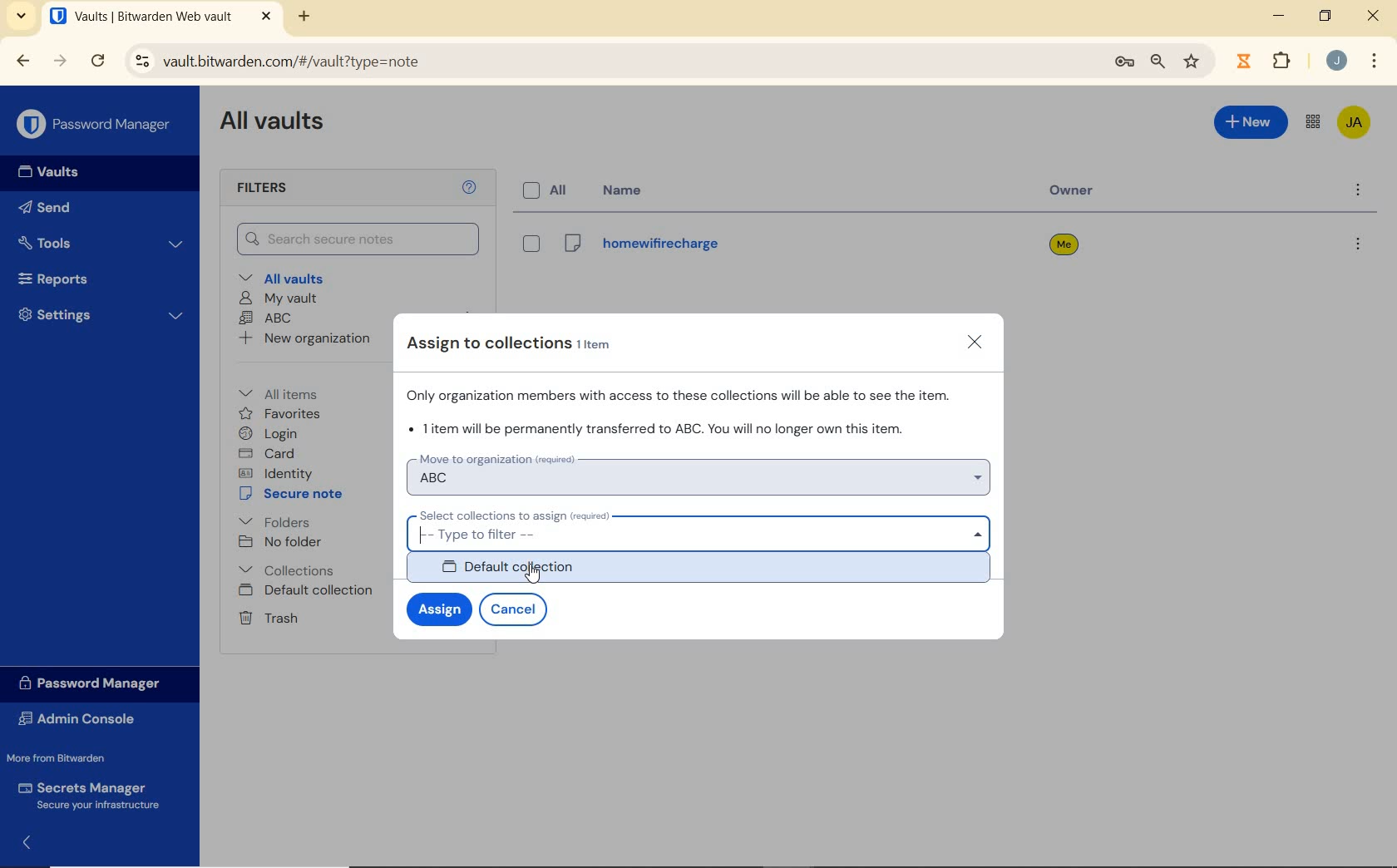  I want to click on Mouse Cursor, so click(539, 583).